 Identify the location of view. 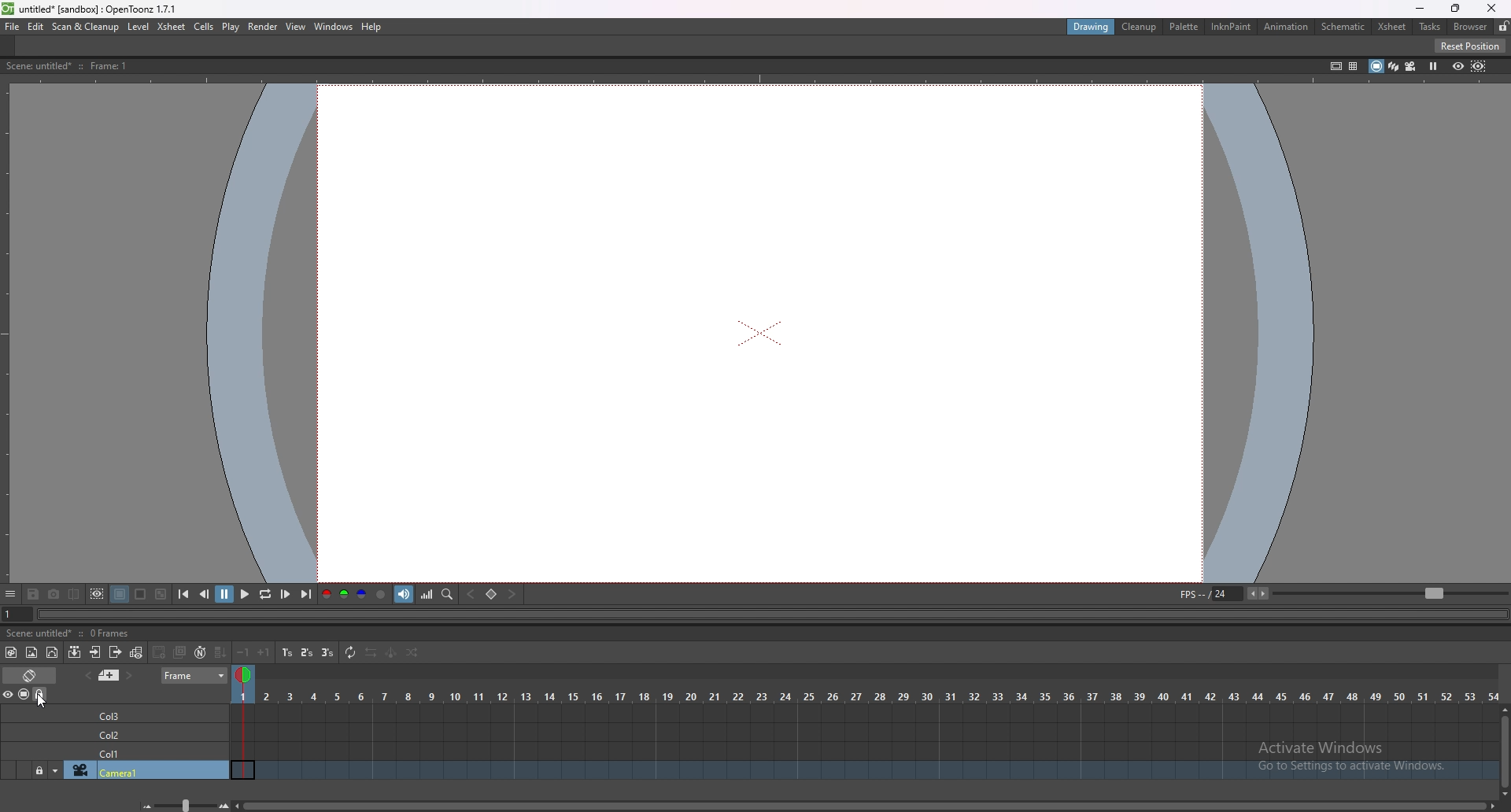
(296, 27).